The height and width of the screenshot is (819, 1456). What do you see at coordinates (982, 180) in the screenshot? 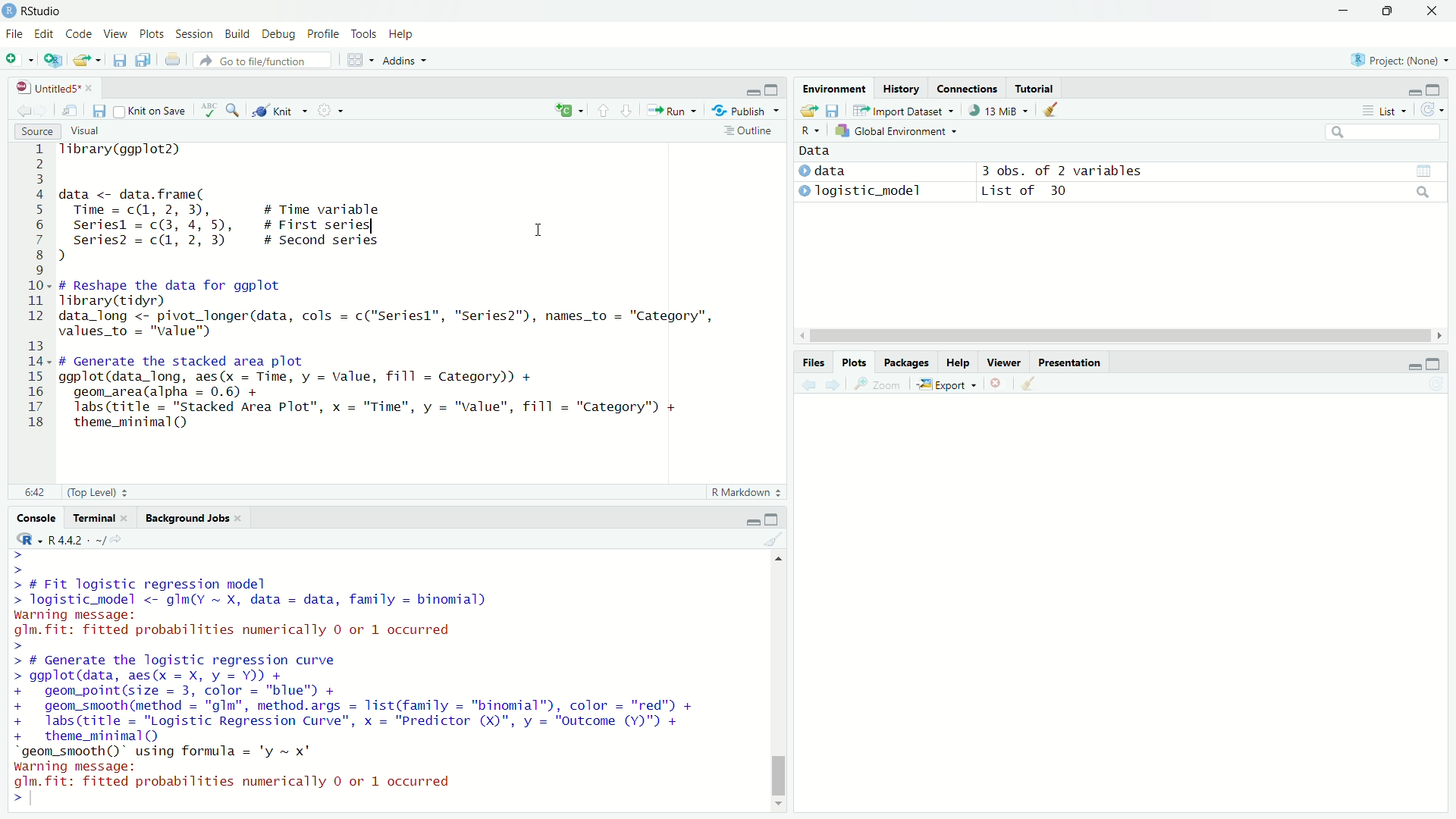
I see `) data 3 obs. of 2 variables
» Togistic_model List of 30` at bounding box center [982, 180].